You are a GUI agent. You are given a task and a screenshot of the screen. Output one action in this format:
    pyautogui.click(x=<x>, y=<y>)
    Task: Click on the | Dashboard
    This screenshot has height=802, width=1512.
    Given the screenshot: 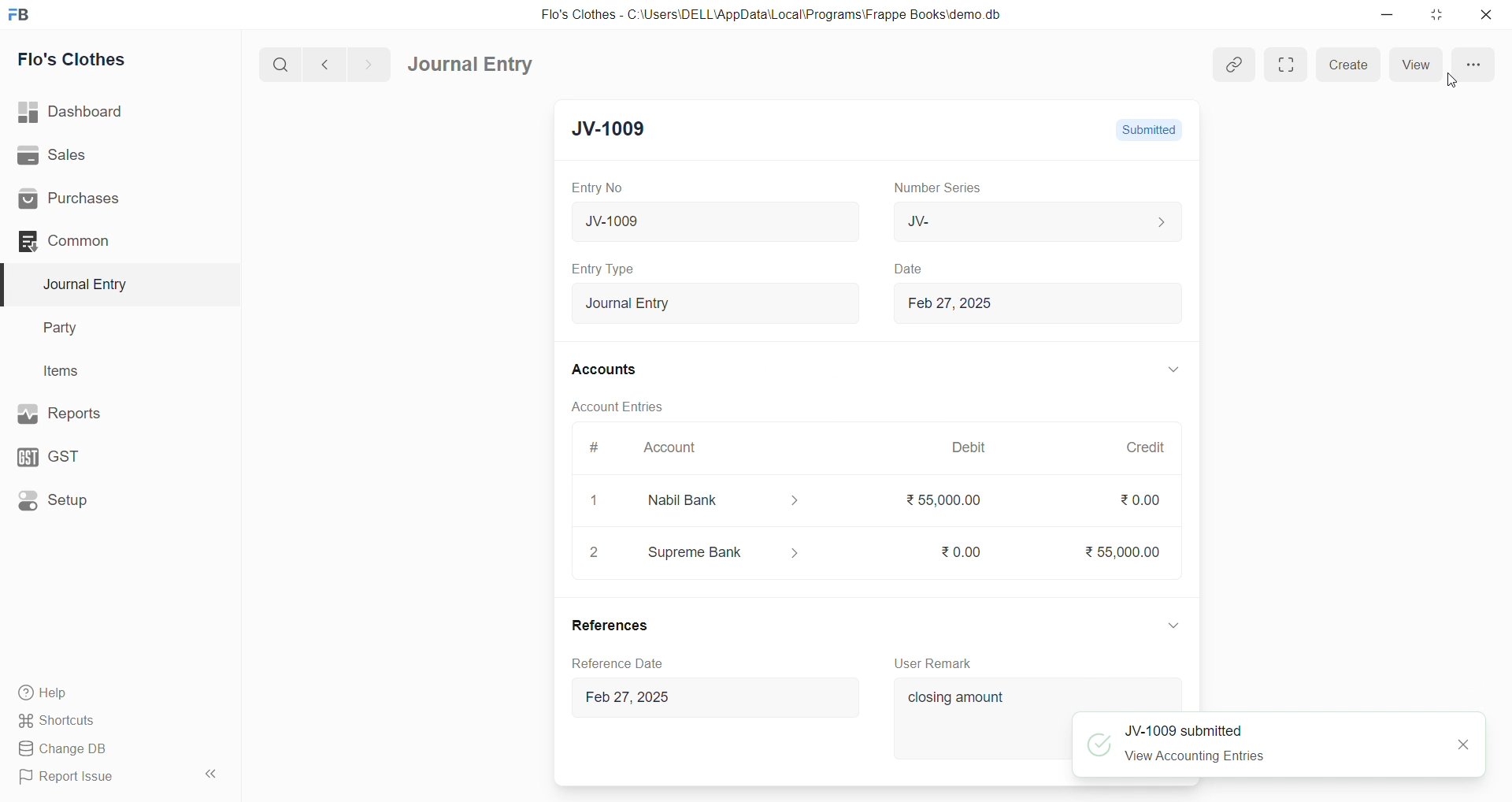 What is the action you would take?
    pyautogui.click(x=86, y=113)
    